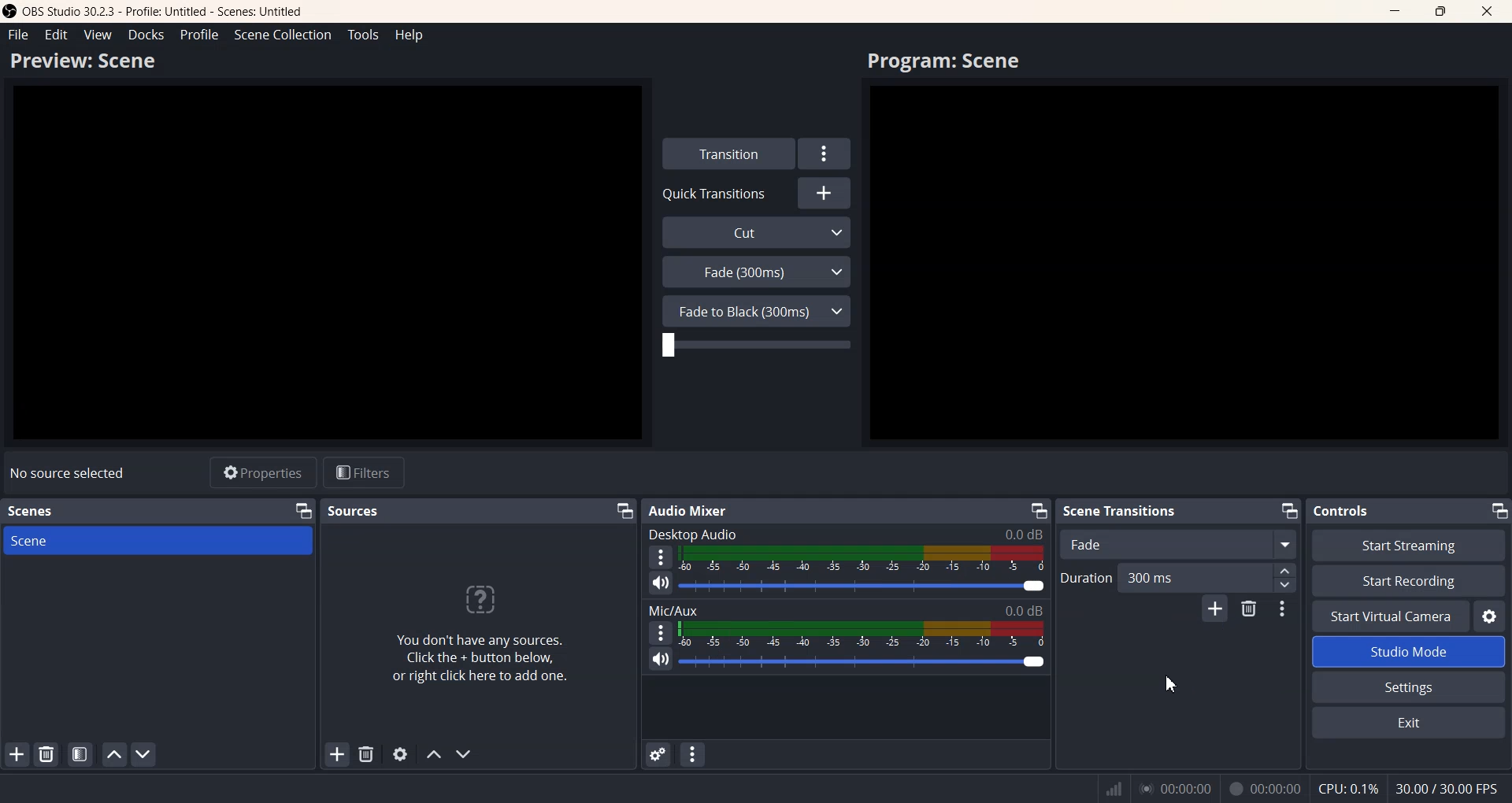  What do you see at coordinates (725, 154) in the screenshot?
I see `Transition` at bounding box center [725, 154].